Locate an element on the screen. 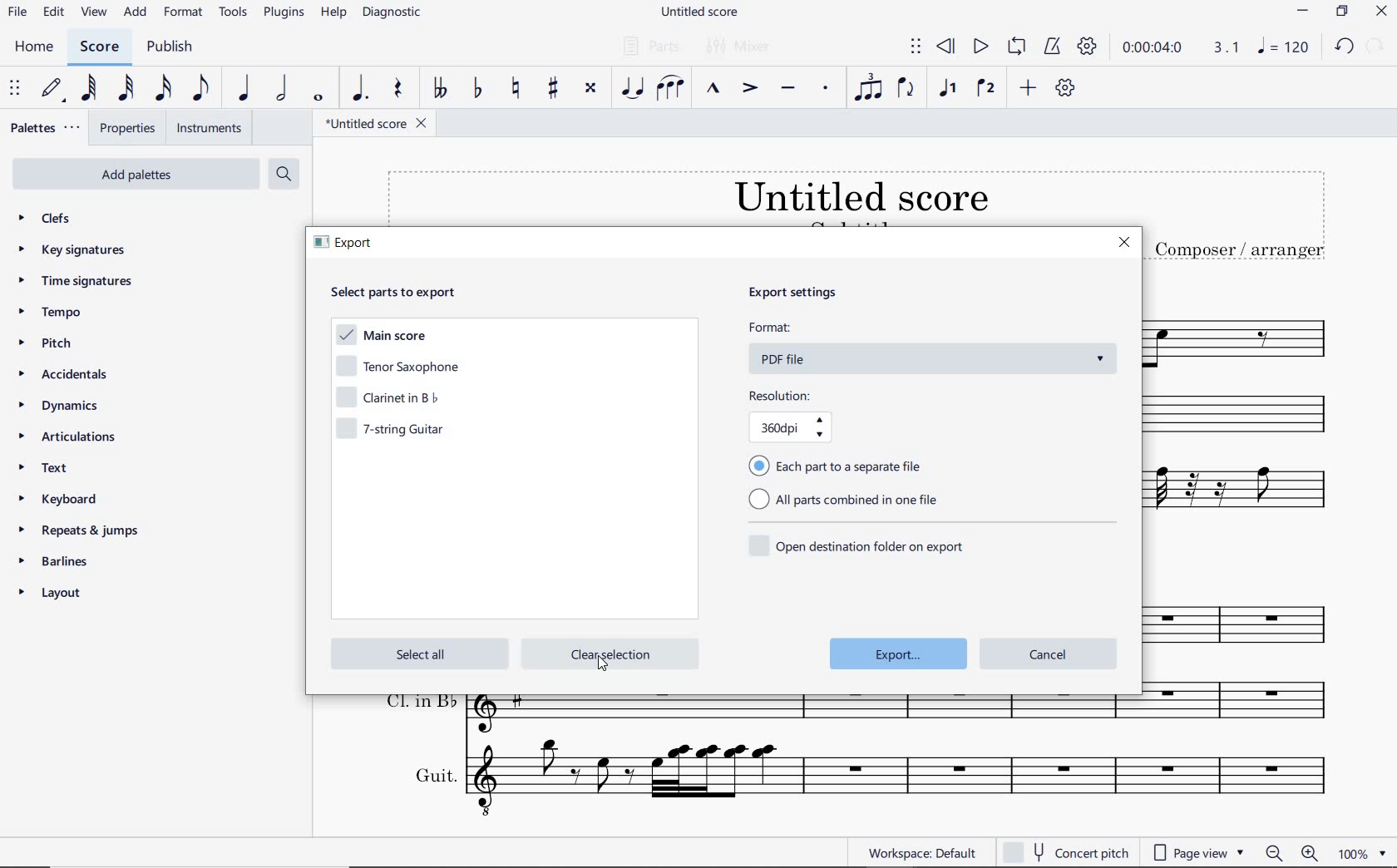  articulations is located at coordinates (71, 437).